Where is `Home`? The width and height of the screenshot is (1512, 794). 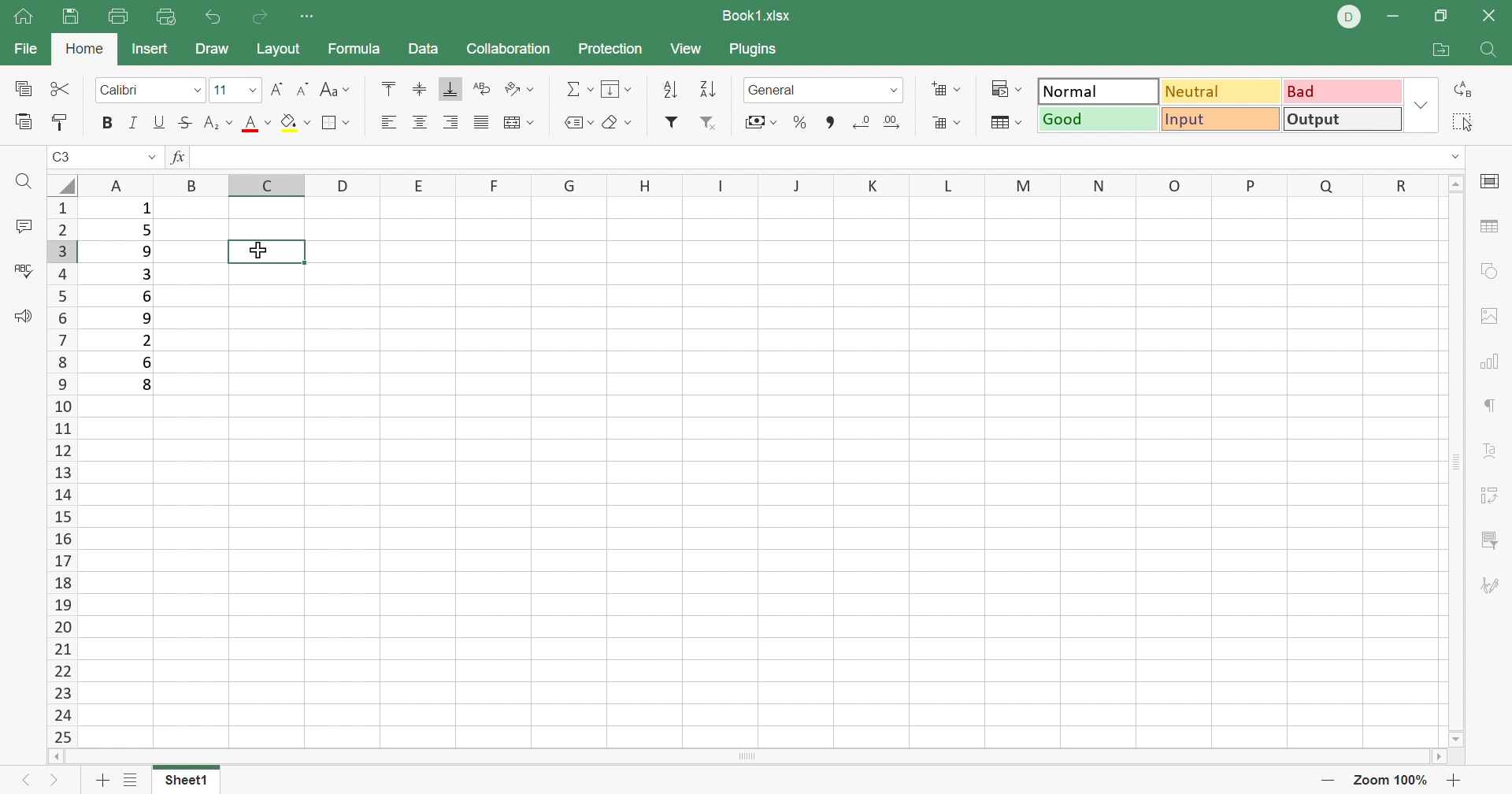
Home is located at coordinates (84, 50).